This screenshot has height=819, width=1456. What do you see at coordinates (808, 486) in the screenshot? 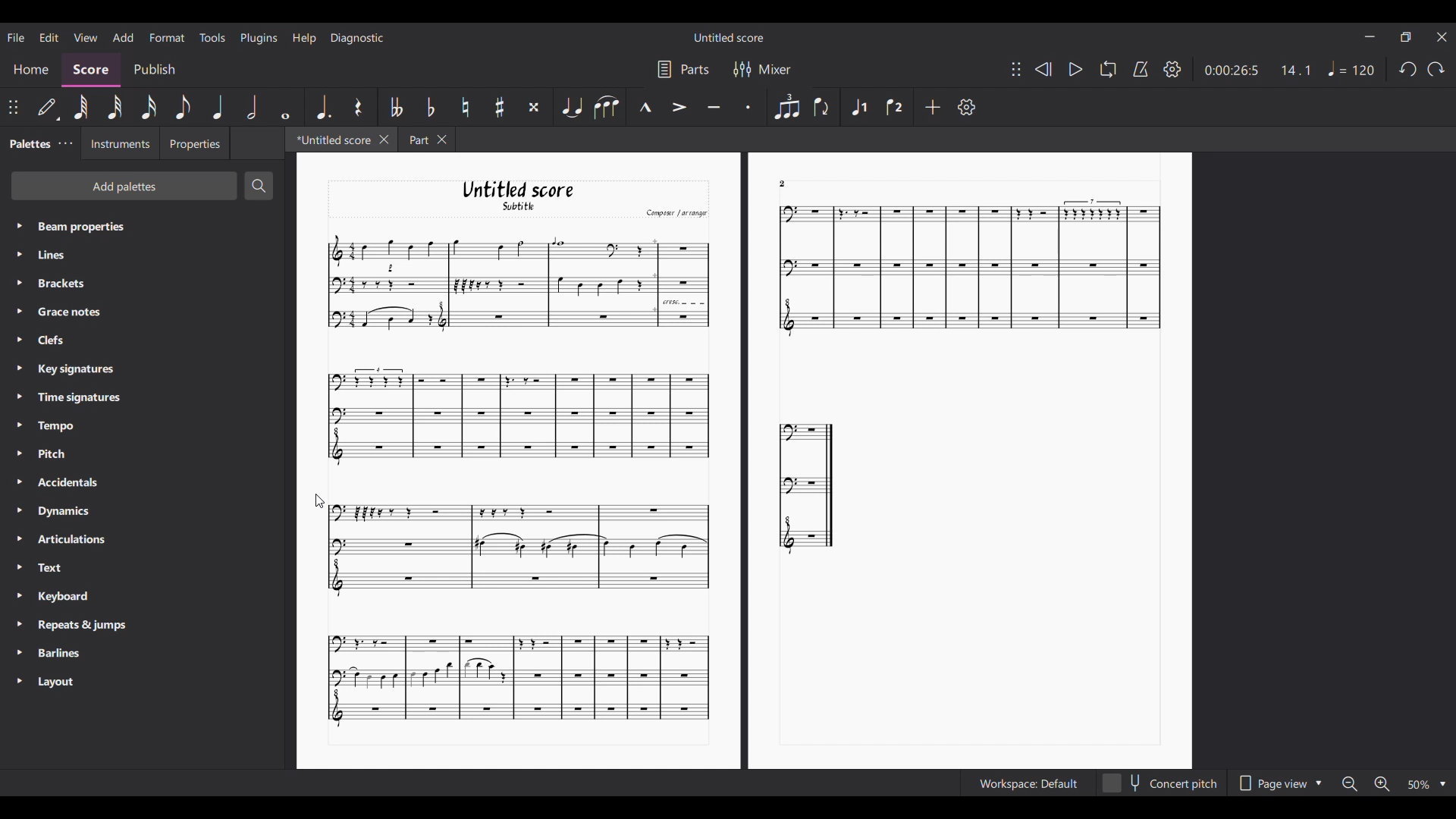
I see `Graph` at bounding box center [808, 486].